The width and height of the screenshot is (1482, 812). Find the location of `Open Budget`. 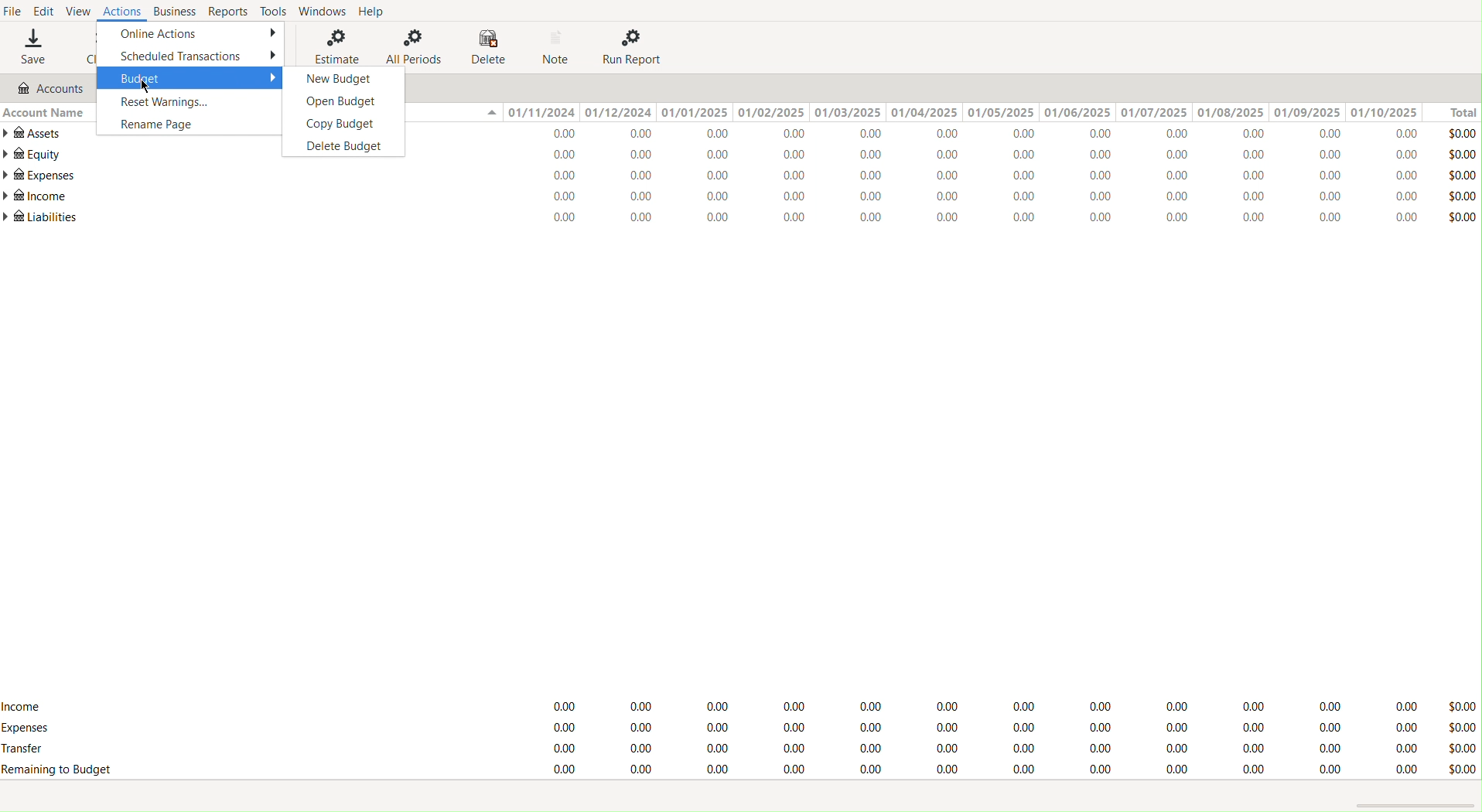

Open Budget is located at coordinates (343, 101).